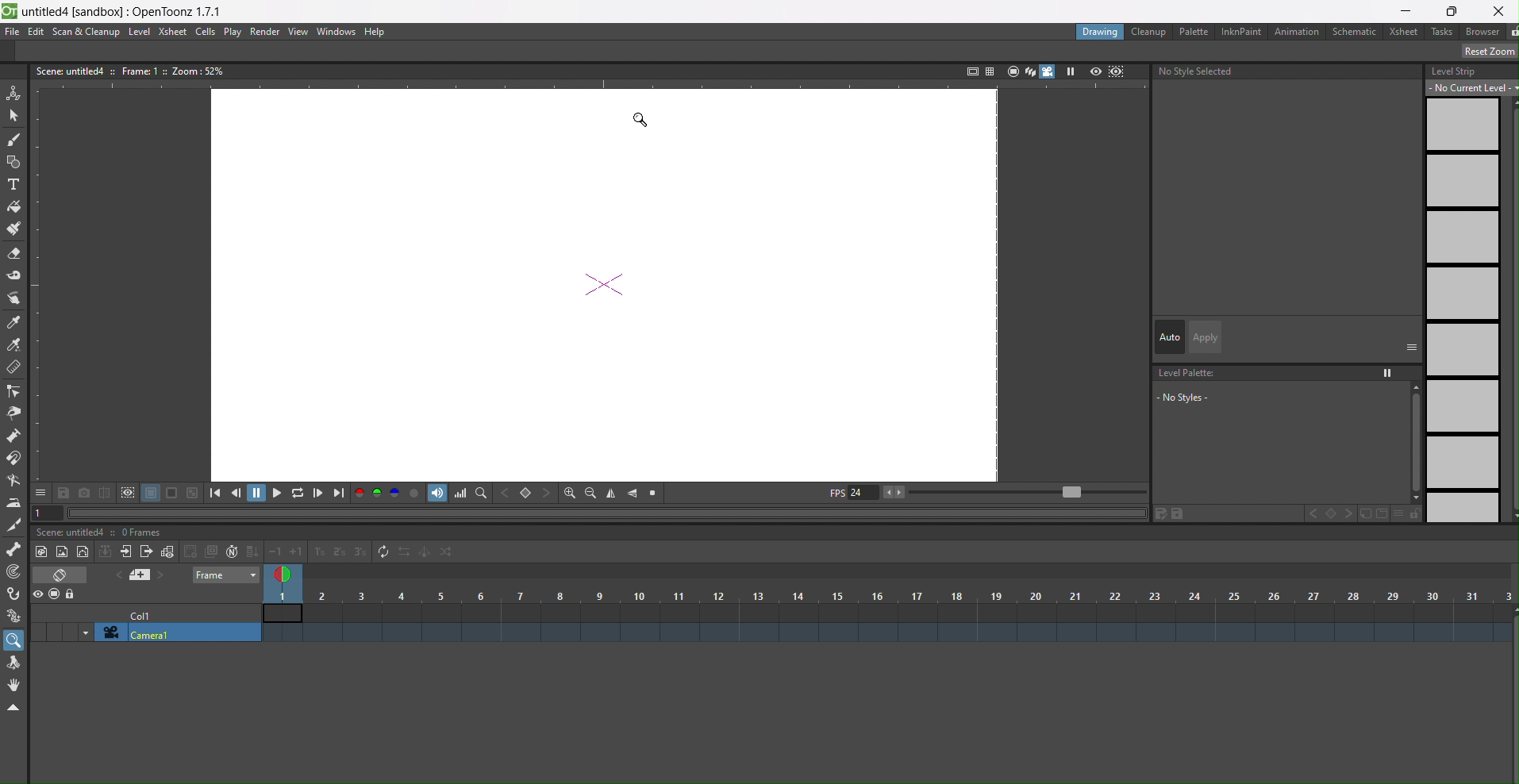 This screenshot has width=1519, height=784. I want to click on minimize, so click(1409, 10).